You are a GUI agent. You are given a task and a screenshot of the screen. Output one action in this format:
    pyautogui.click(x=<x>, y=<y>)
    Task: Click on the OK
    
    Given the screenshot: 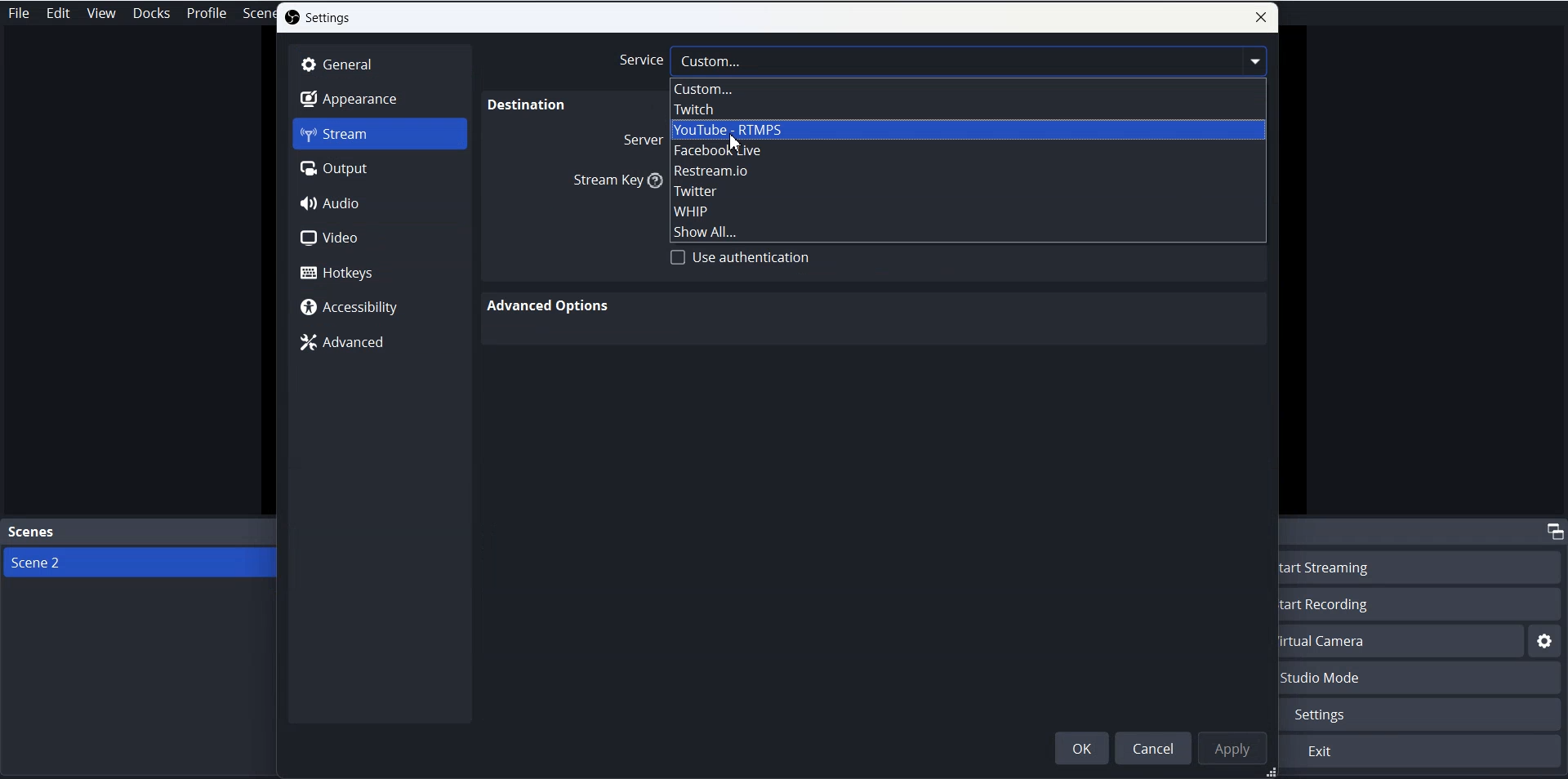 What is the action you would take?
    pyautogui.click(x=1081, y=748)
    